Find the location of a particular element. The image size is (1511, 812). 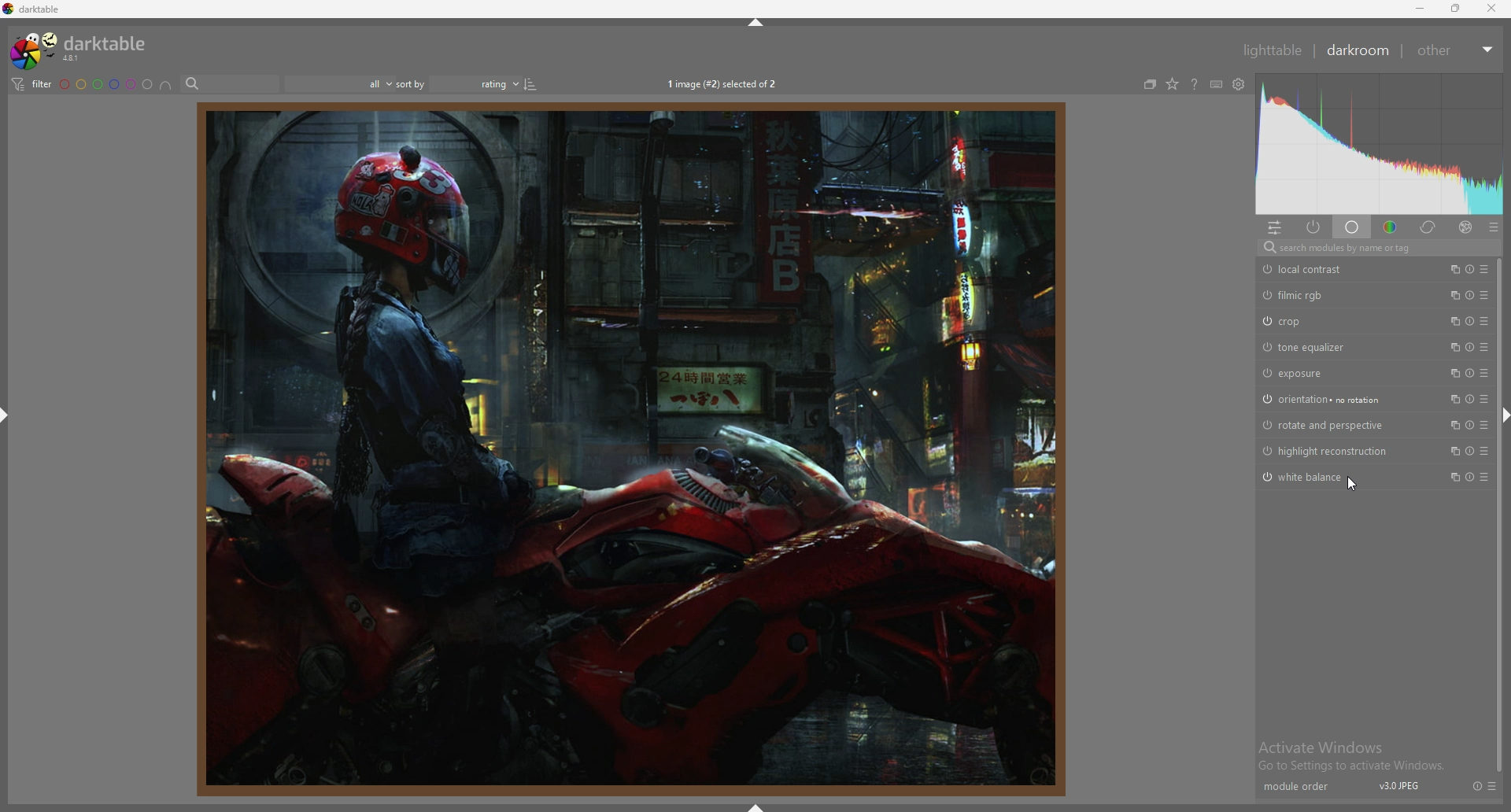

reset is located at coordinates (1470, 347).